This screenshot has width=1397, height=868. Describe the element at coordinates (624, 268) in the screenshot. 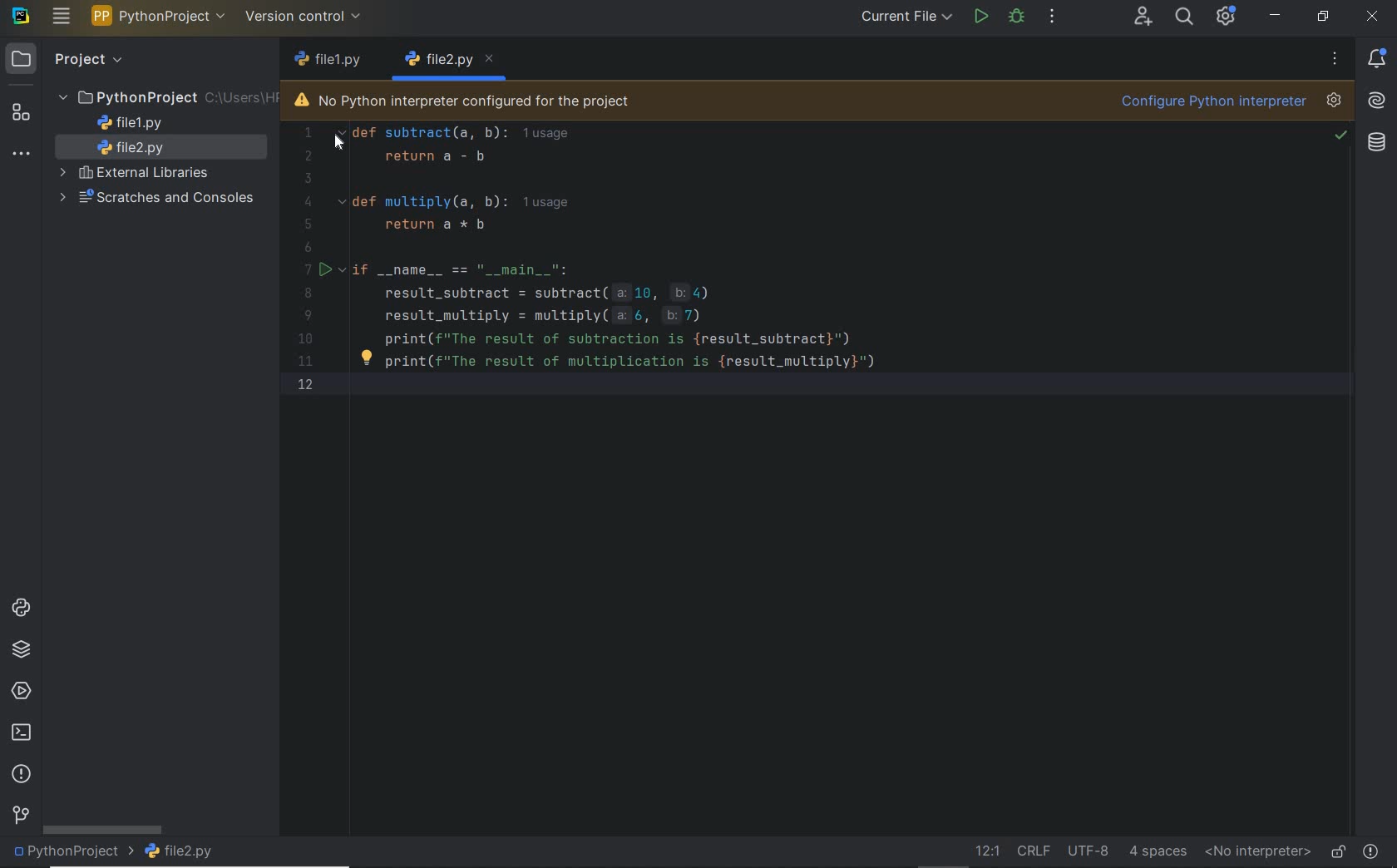

I see `Code` at that location.